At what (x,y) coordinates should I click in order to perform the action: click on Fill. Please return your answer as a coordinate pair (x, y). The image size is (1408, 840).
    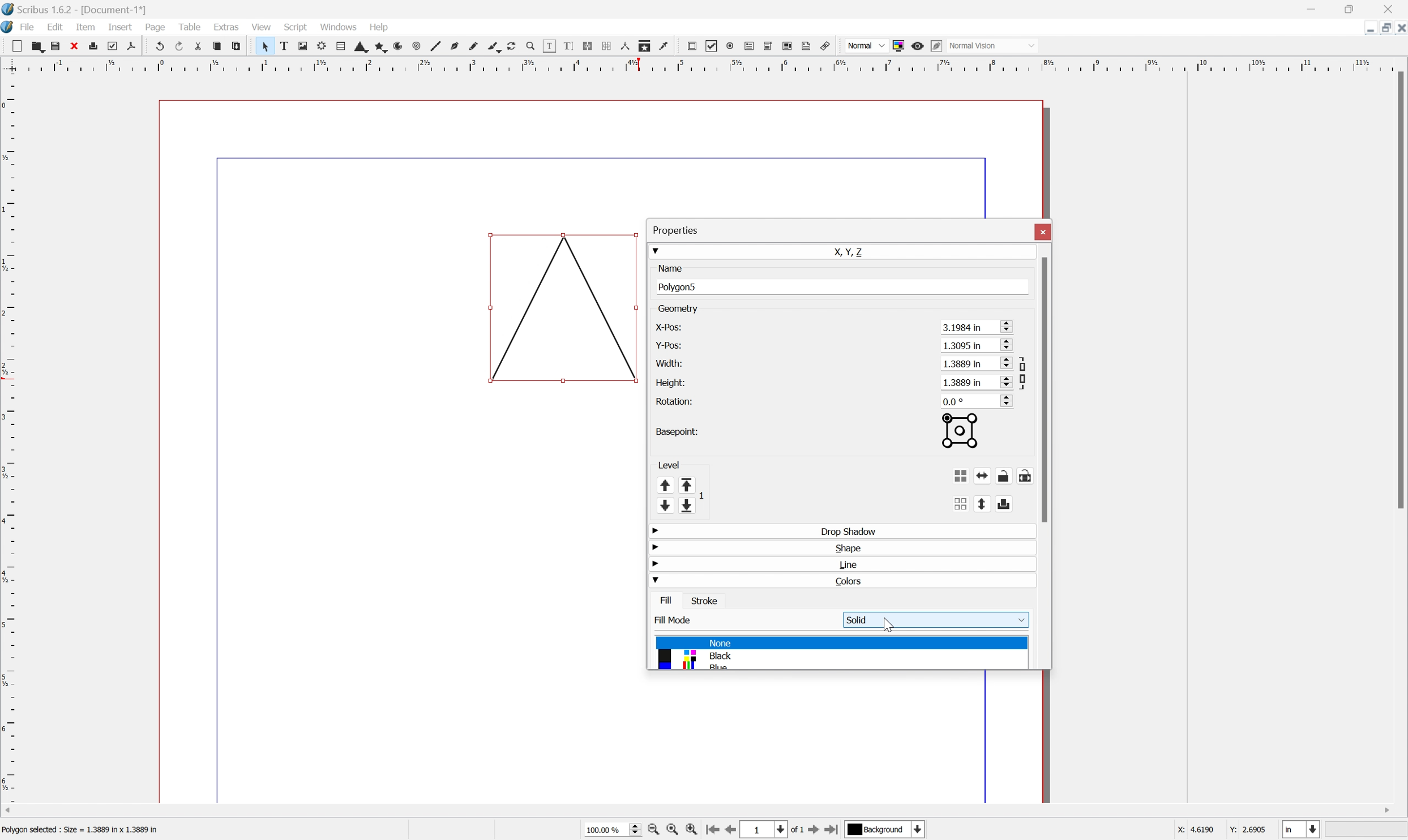
    Looking at the image, I should click on (668, 600).